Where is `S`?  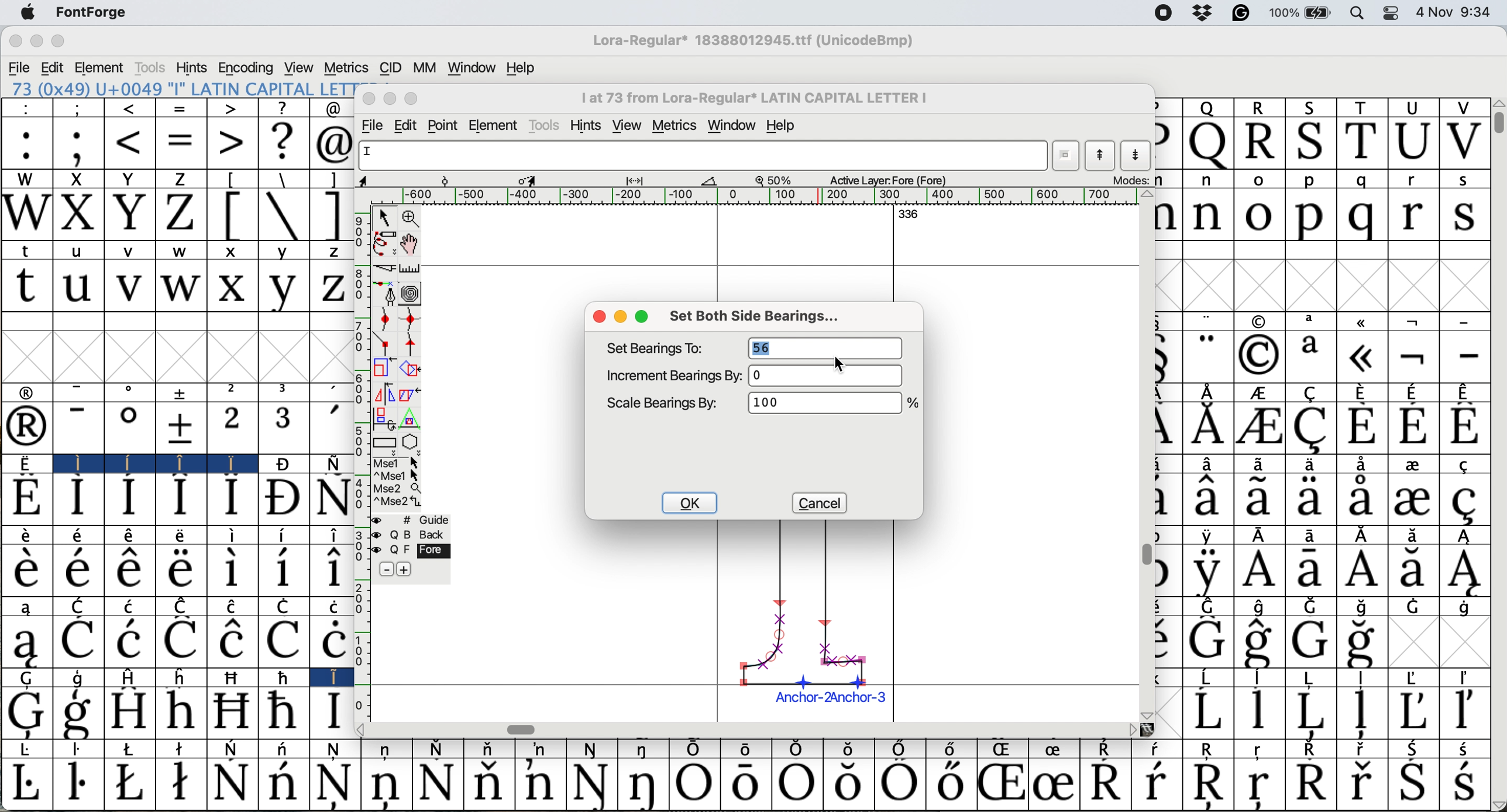
S is located at coordinates (1308, 106).